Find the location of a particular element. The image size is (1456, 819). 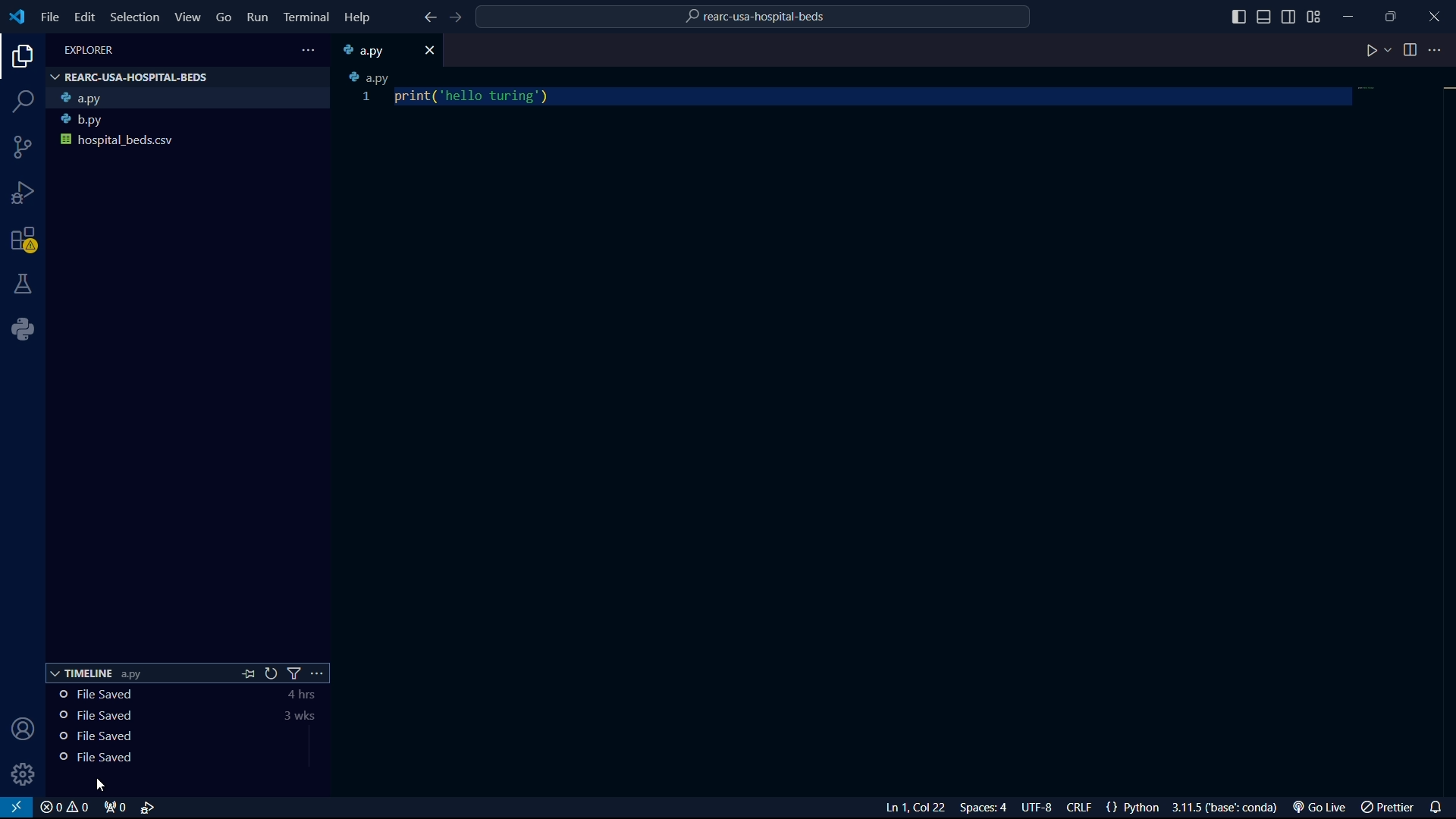

go back is located at coordinates (427, 17).